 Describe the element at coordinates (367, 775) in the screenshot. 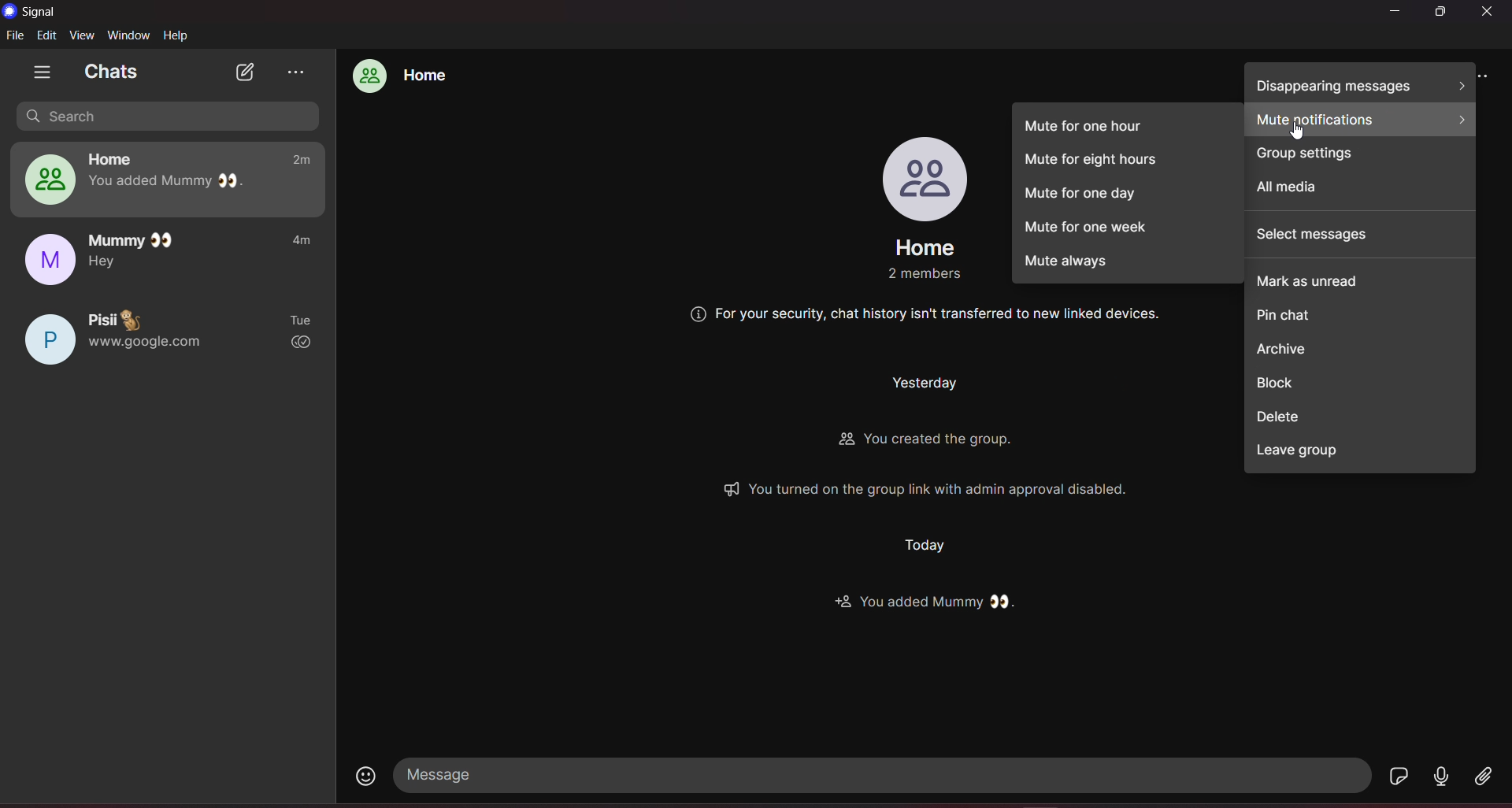

I see `emojis` at that location.